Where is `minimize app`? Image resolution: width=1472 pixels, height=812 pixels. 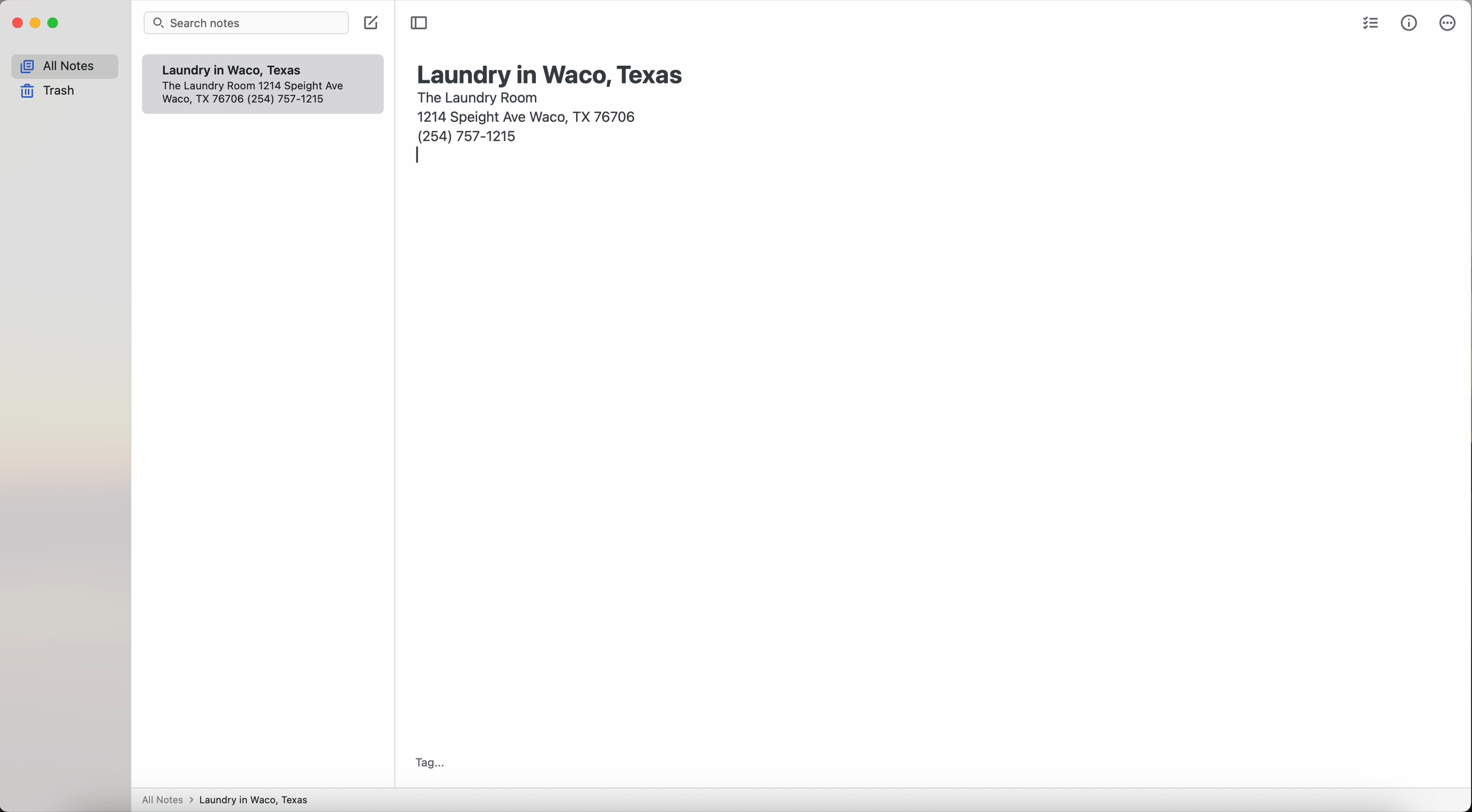 minimize app is located at coordinates (36, 23).